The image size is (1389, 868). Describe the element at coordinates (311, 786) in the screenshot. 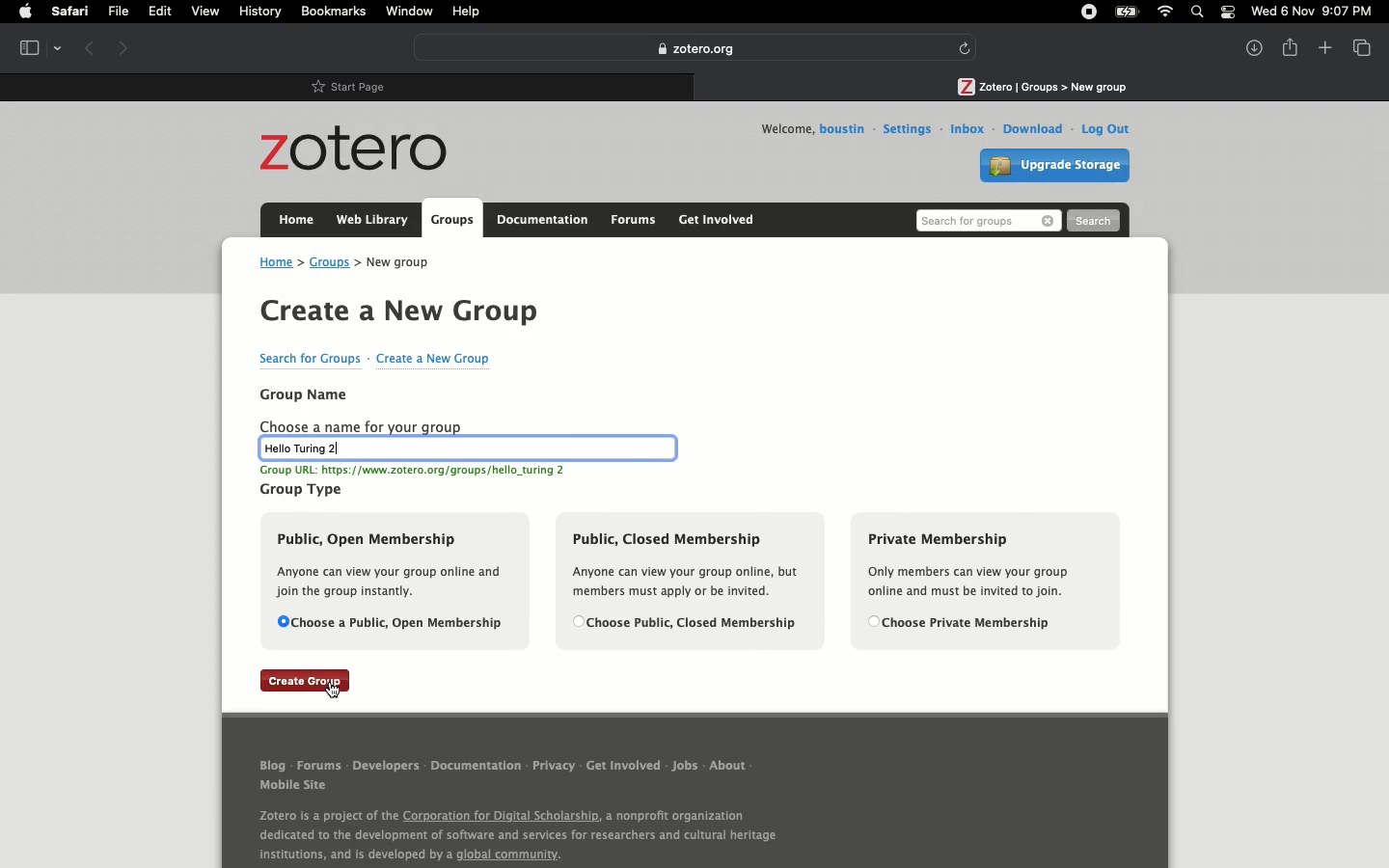

I see `Mobile site` at that location.